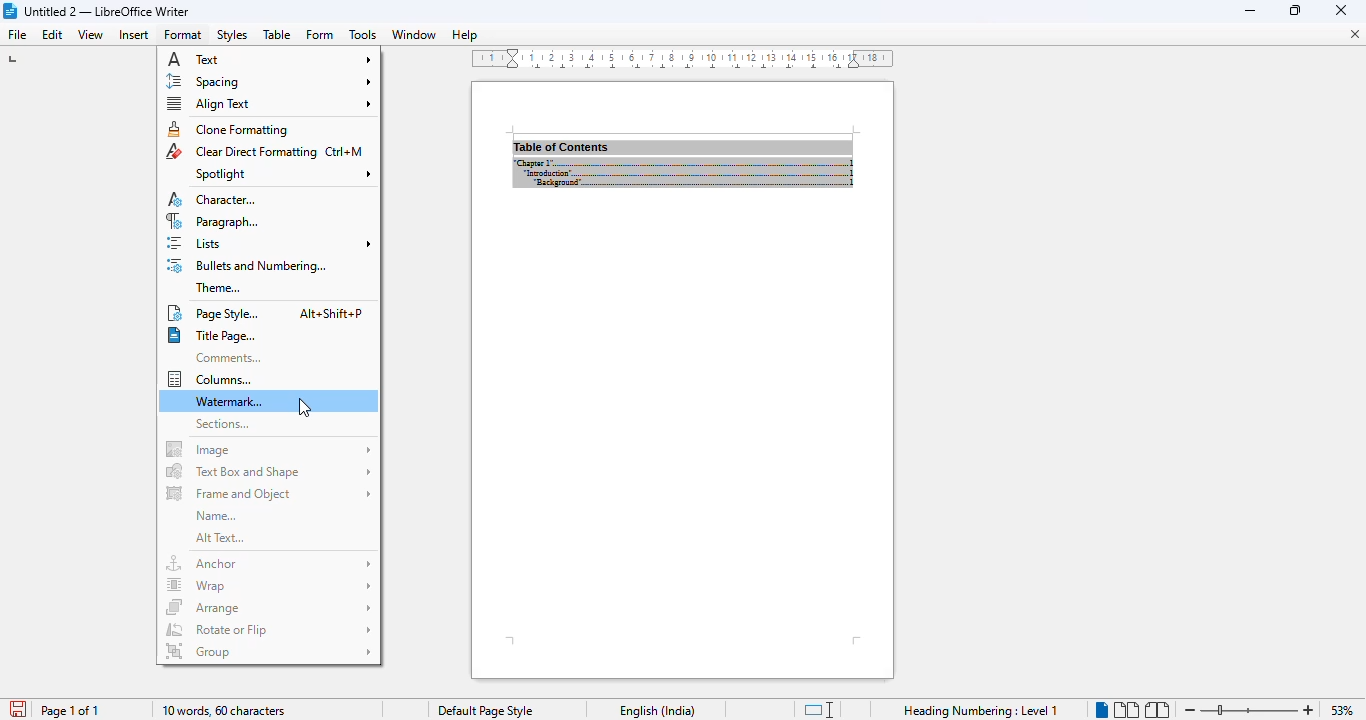  Describe the element at coordinates (19, 709) in the screenshot. I see `click to save document` at that location.